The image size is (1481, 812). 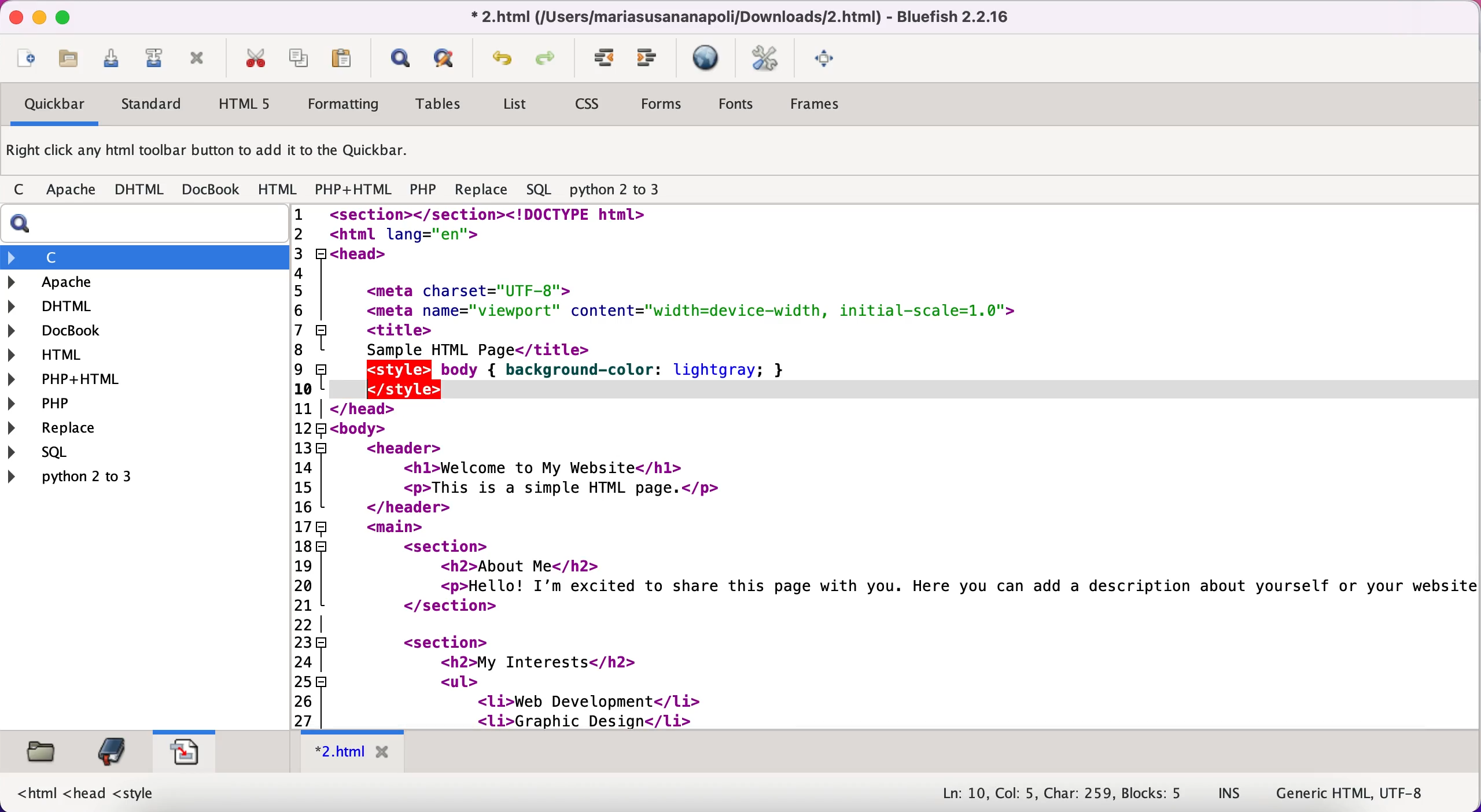 What do you see at coordinates (503, 61) in the screenshot?
I see `undo` at bounding box center [503, 61].